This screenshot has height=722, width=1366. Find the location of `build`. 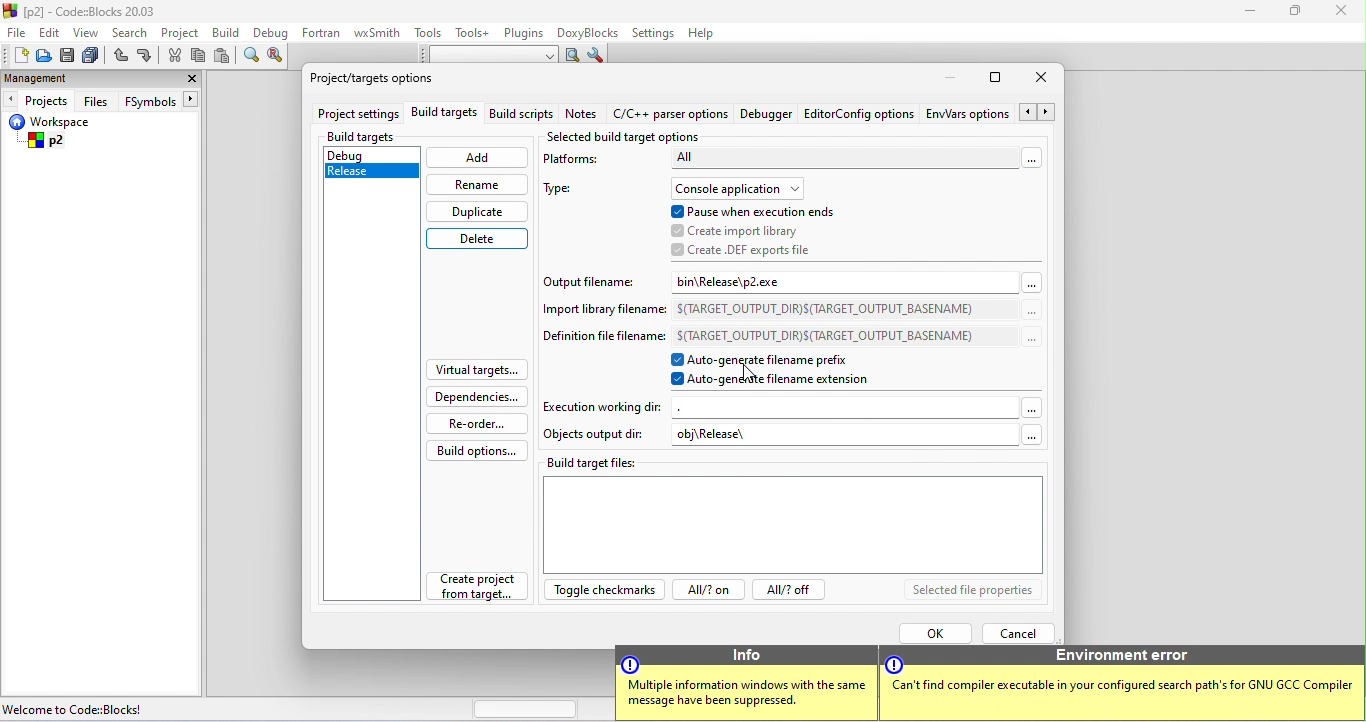

build is located at coordinates (228, 35).